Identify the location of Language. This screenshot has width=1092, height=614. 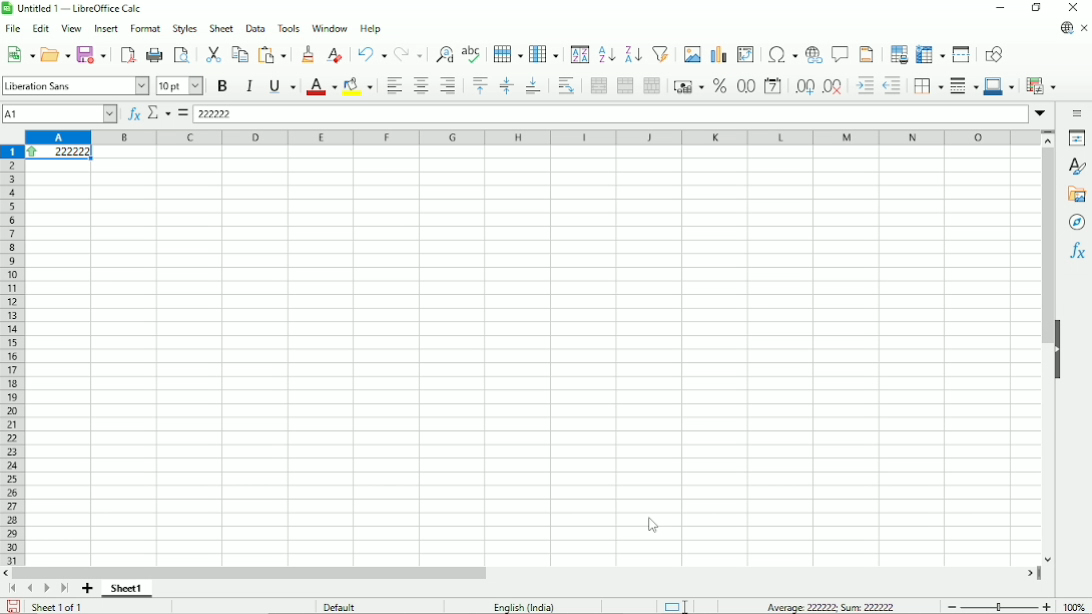
(528, 606).